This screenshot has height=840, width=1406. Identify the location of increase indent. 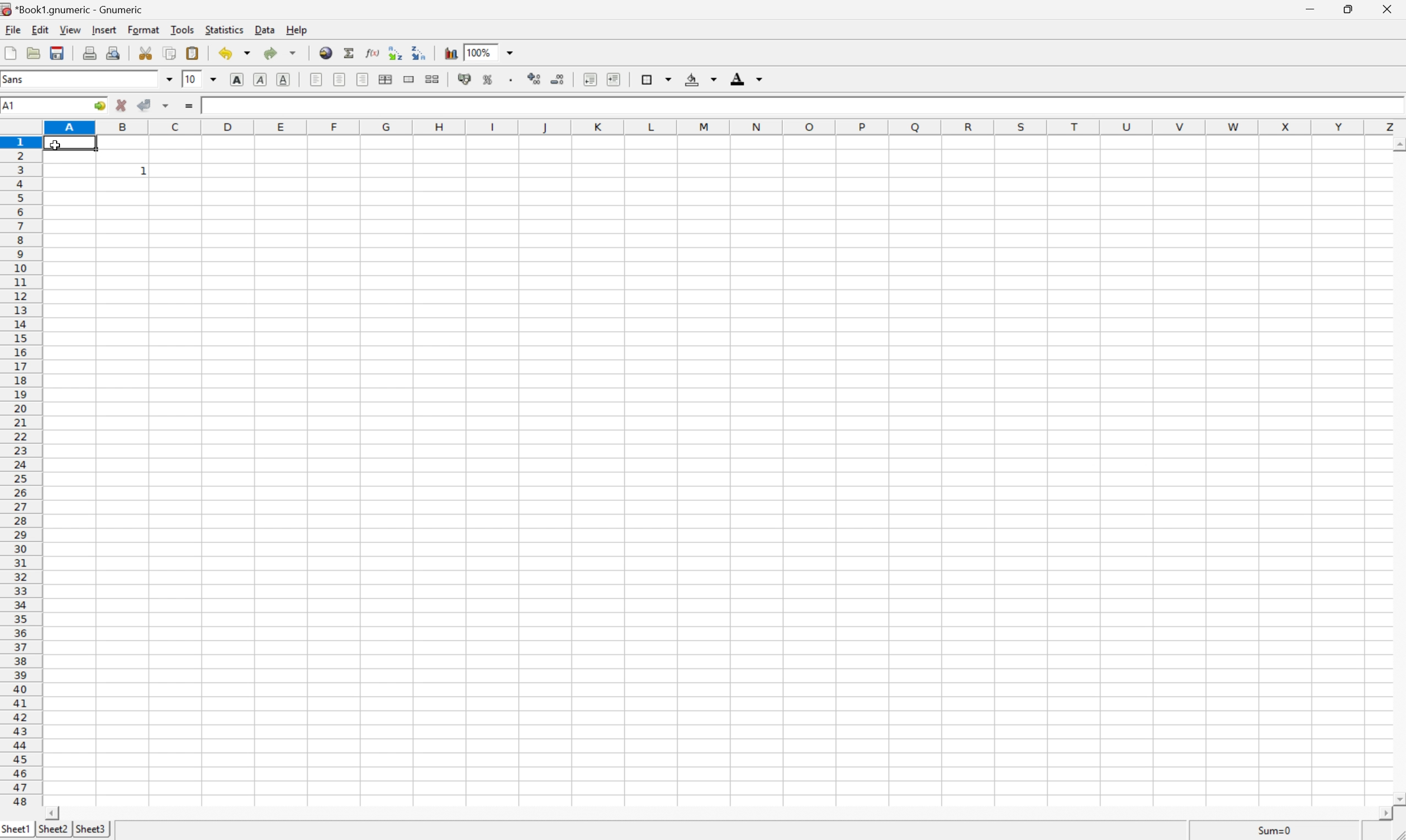
(614, 78).